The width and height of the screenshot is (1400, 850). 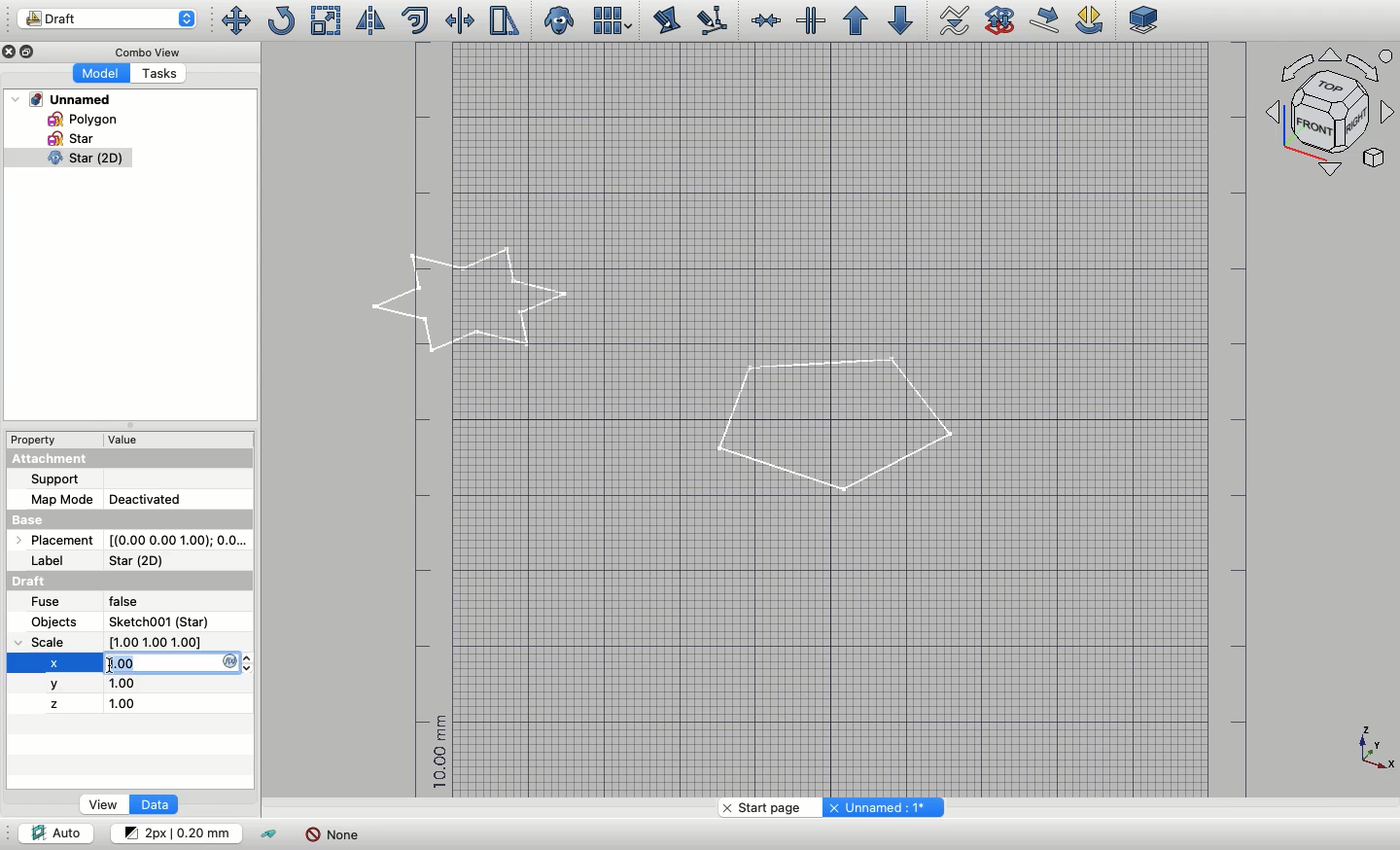 I want to click on Cursor, so click(x=112, y=664).